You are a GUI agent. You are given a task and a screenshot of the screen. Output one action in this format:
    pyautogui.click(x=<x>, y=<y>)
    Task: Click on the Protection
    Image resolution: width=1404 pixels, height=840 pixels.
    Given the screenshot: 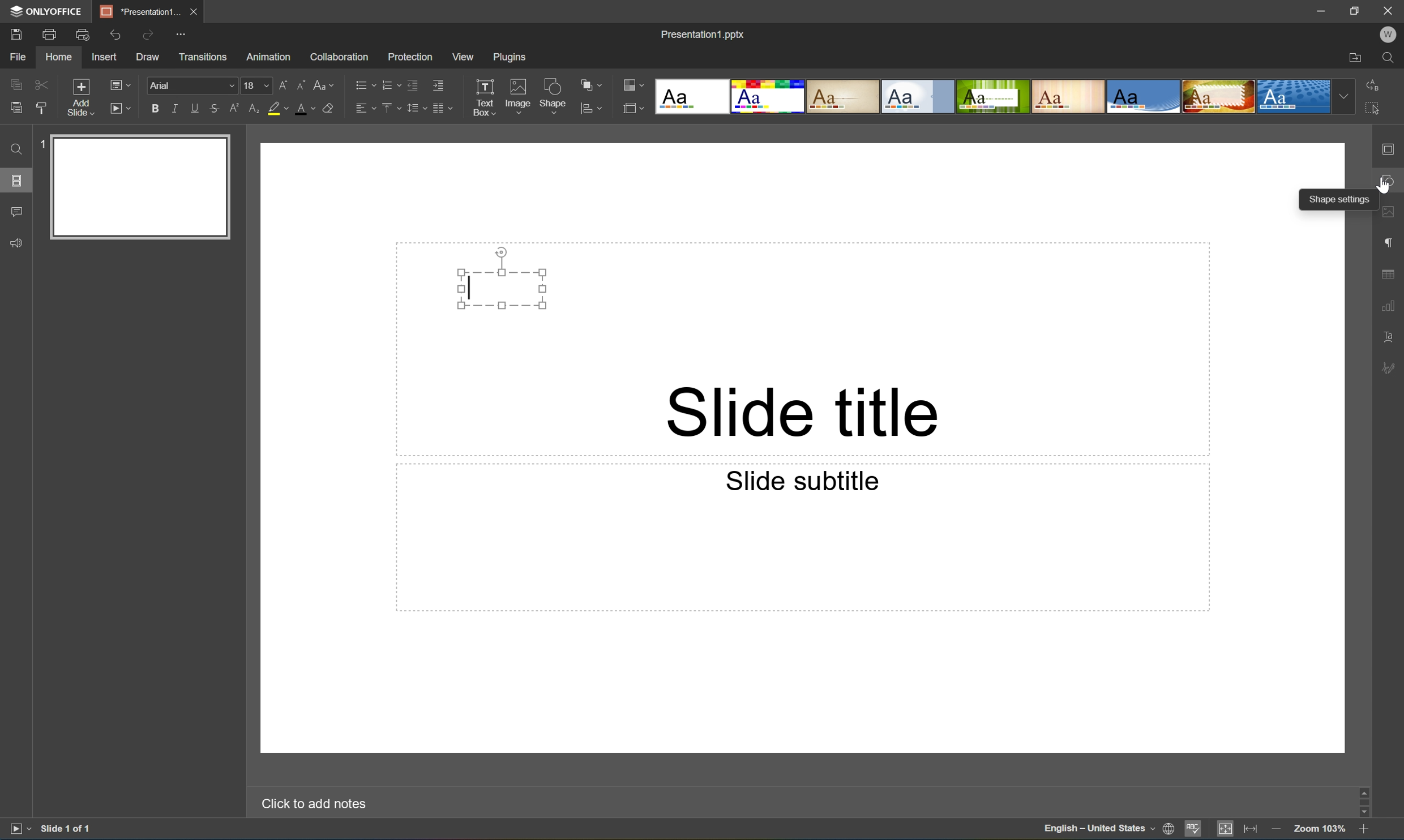 What is the action you would take?
    pyautogui.click(x=409, y=56)
    